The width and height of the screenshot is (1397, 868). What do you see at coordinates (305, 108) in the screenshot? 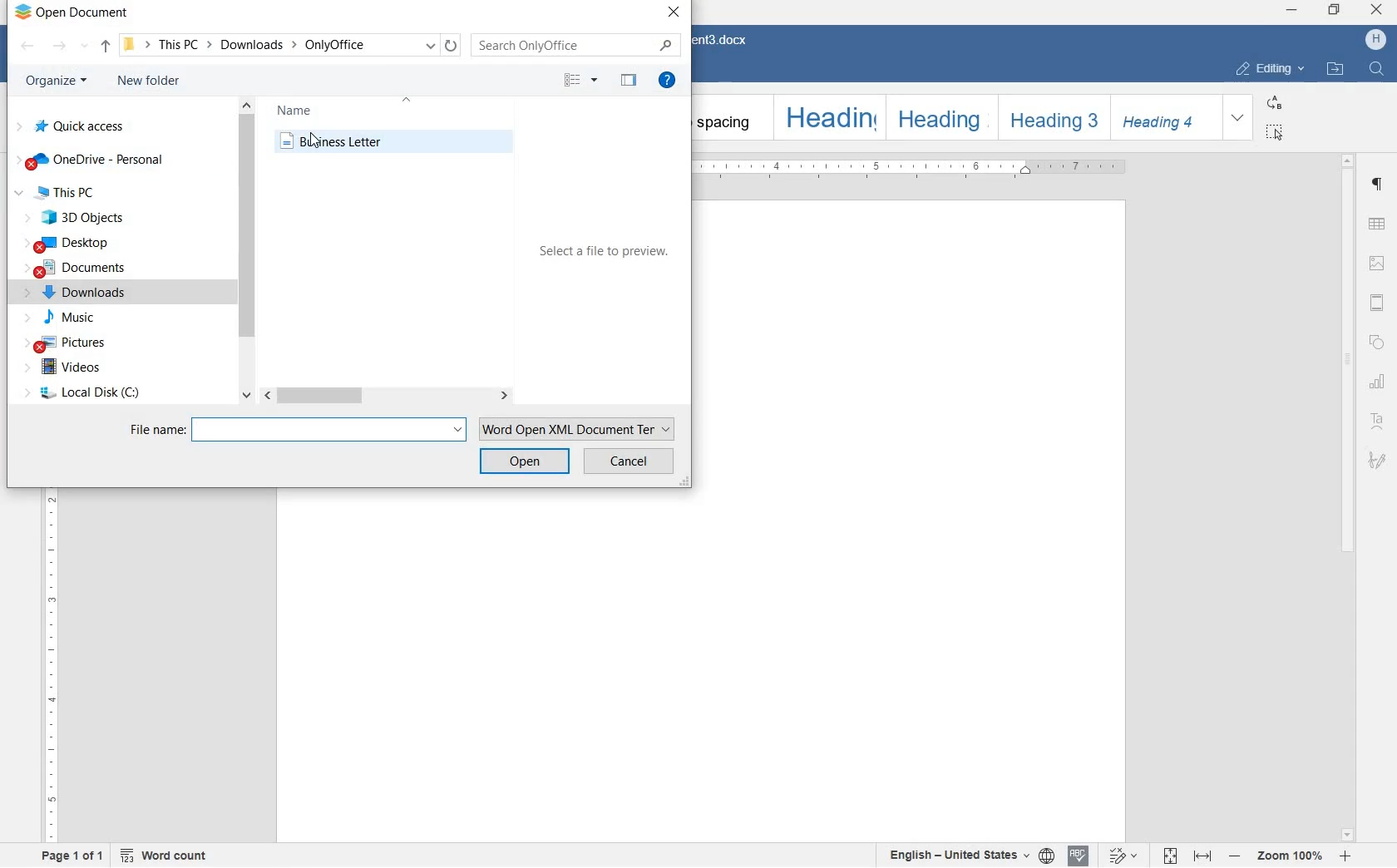
I see `name` at bounding box center [305, 108].